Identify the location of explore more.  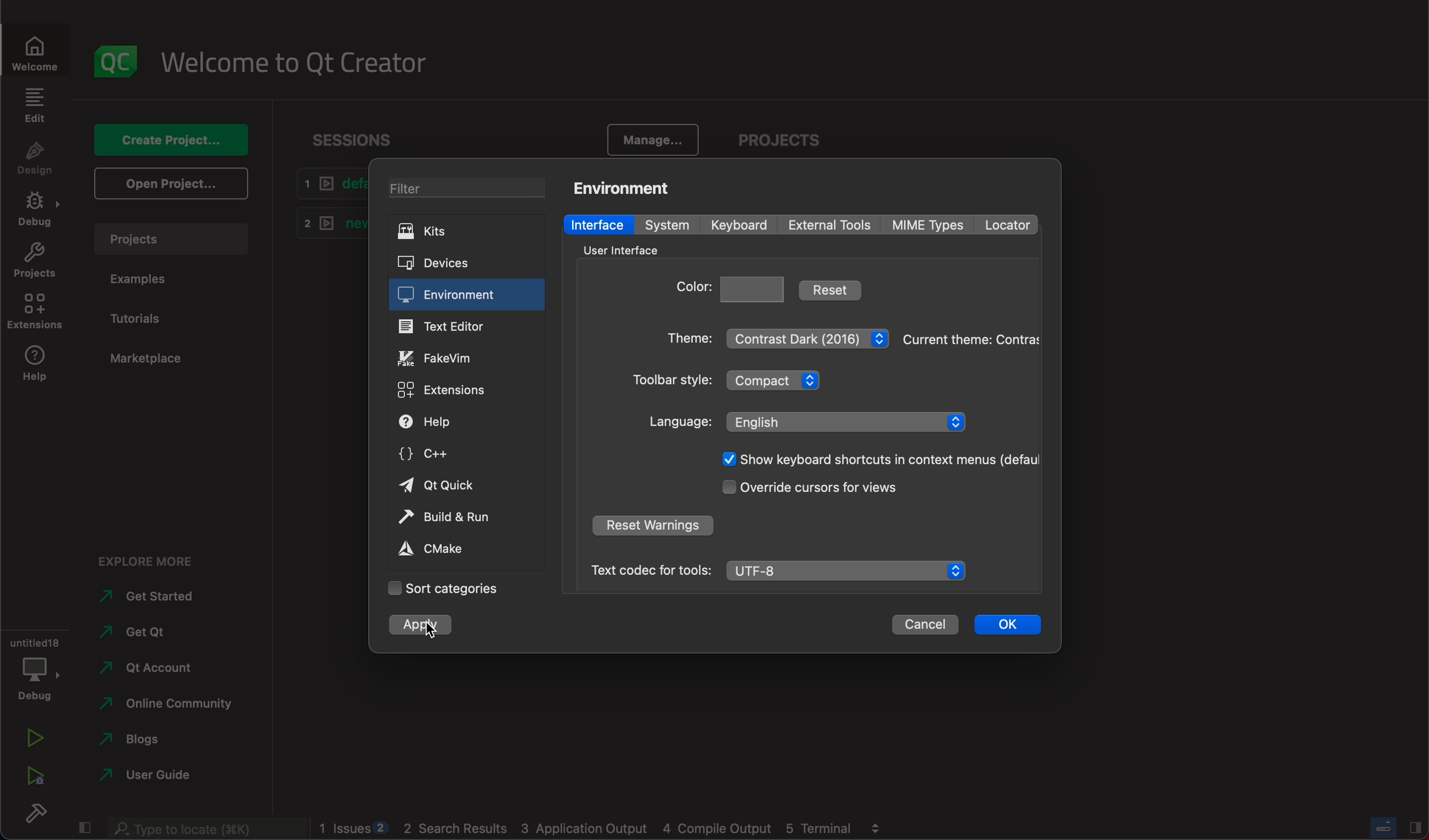
(143, 558).